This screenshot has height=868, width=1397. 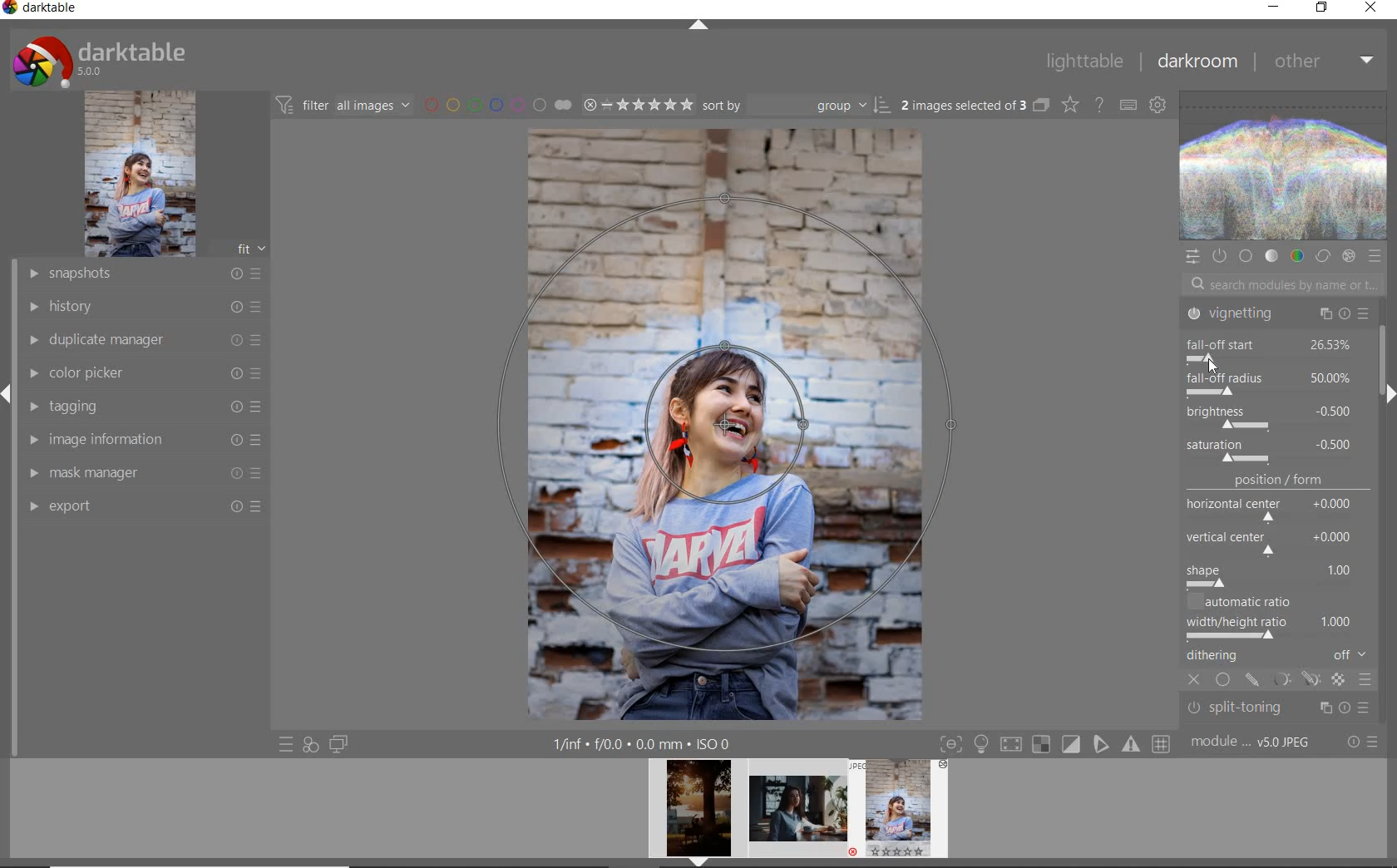 What do you see at coordinates (41, 10) in the screenshot?
I see `system name` at bounding box center [41, 10].